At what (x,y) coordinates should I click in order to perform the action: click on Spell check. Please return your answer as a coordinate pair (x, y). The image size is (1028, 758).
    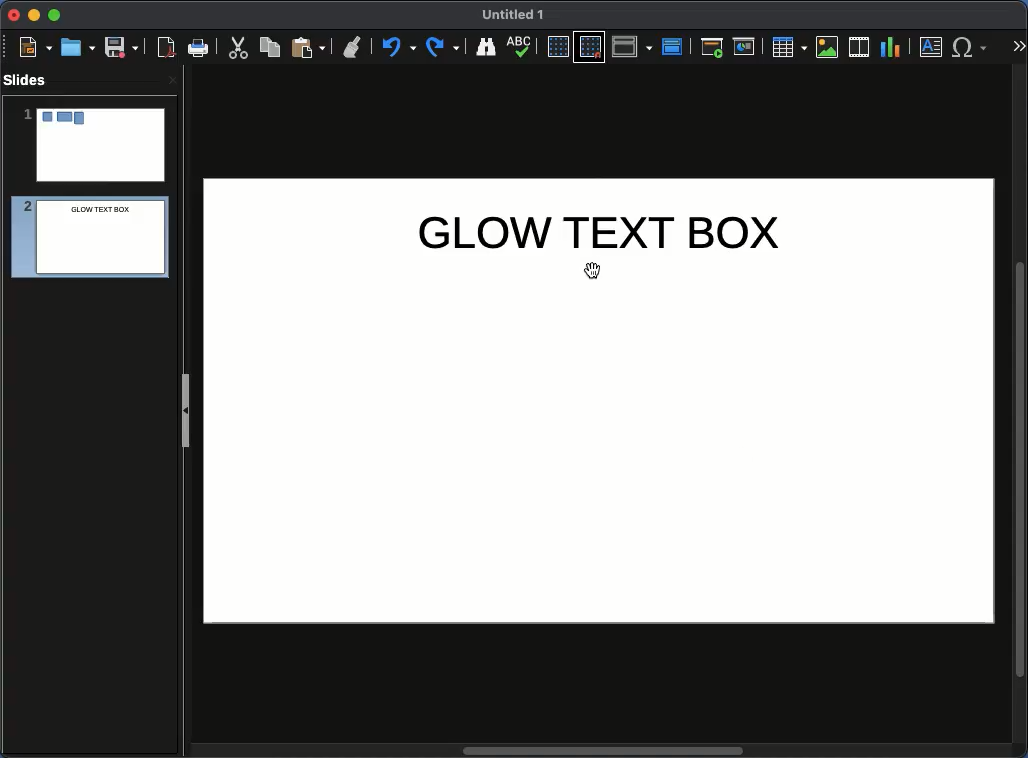
    Looking at the image, I should click on (521, 48).